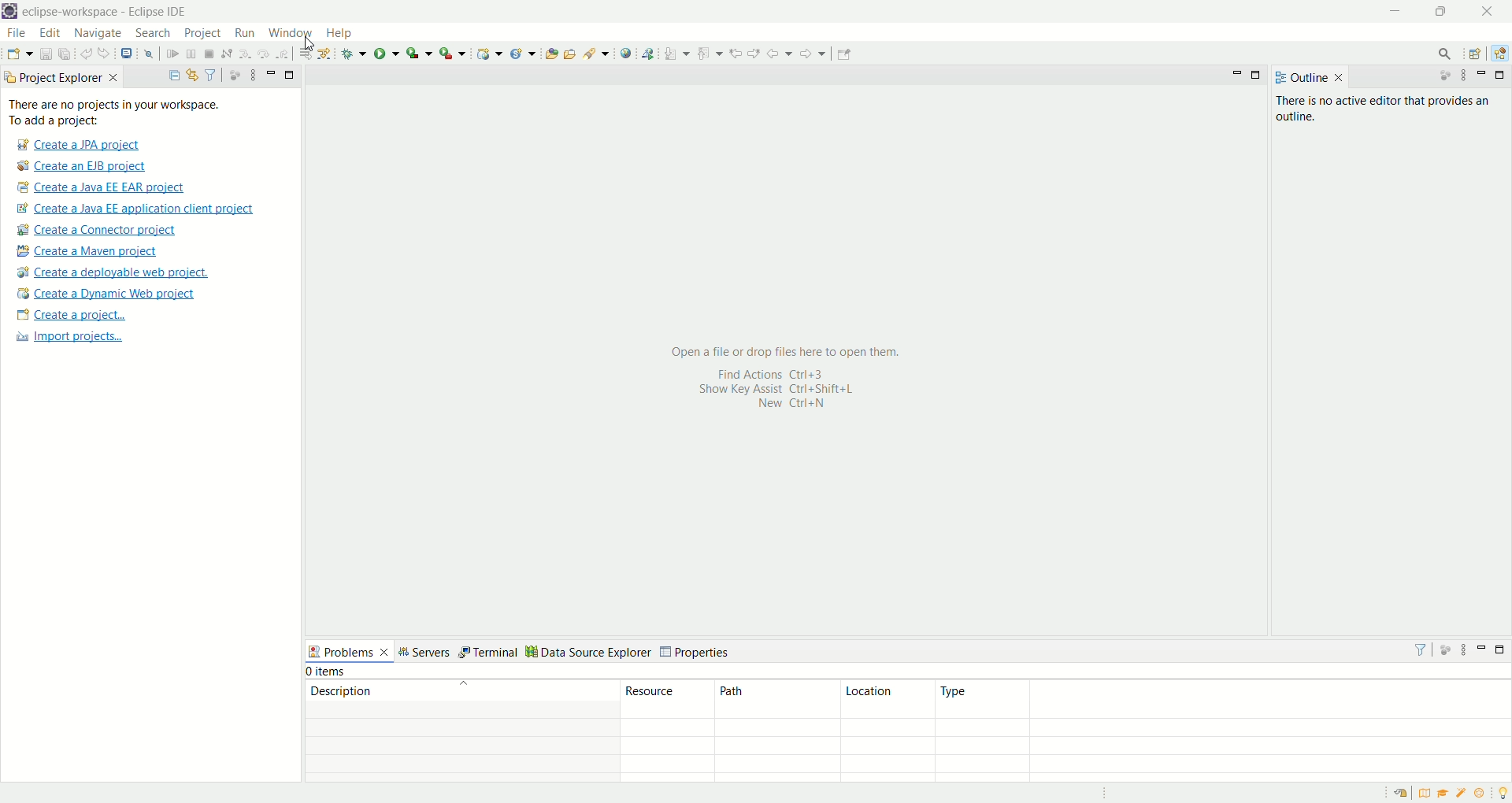 The height and width of the screenshot is (803, 1512). I want to click on create a EJB project, so click(85, 166).